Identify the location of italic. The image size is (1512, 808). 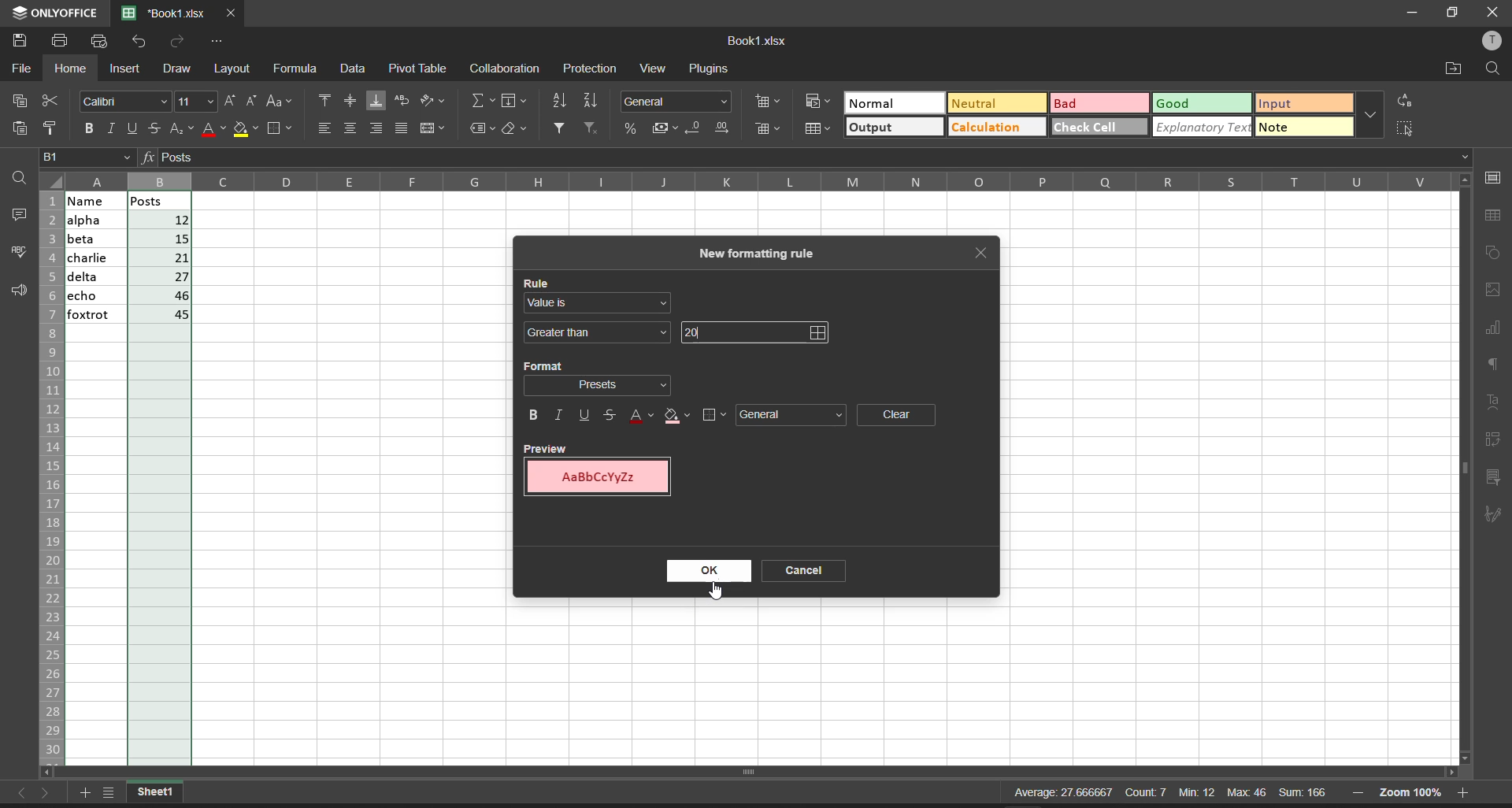
(558, 414).